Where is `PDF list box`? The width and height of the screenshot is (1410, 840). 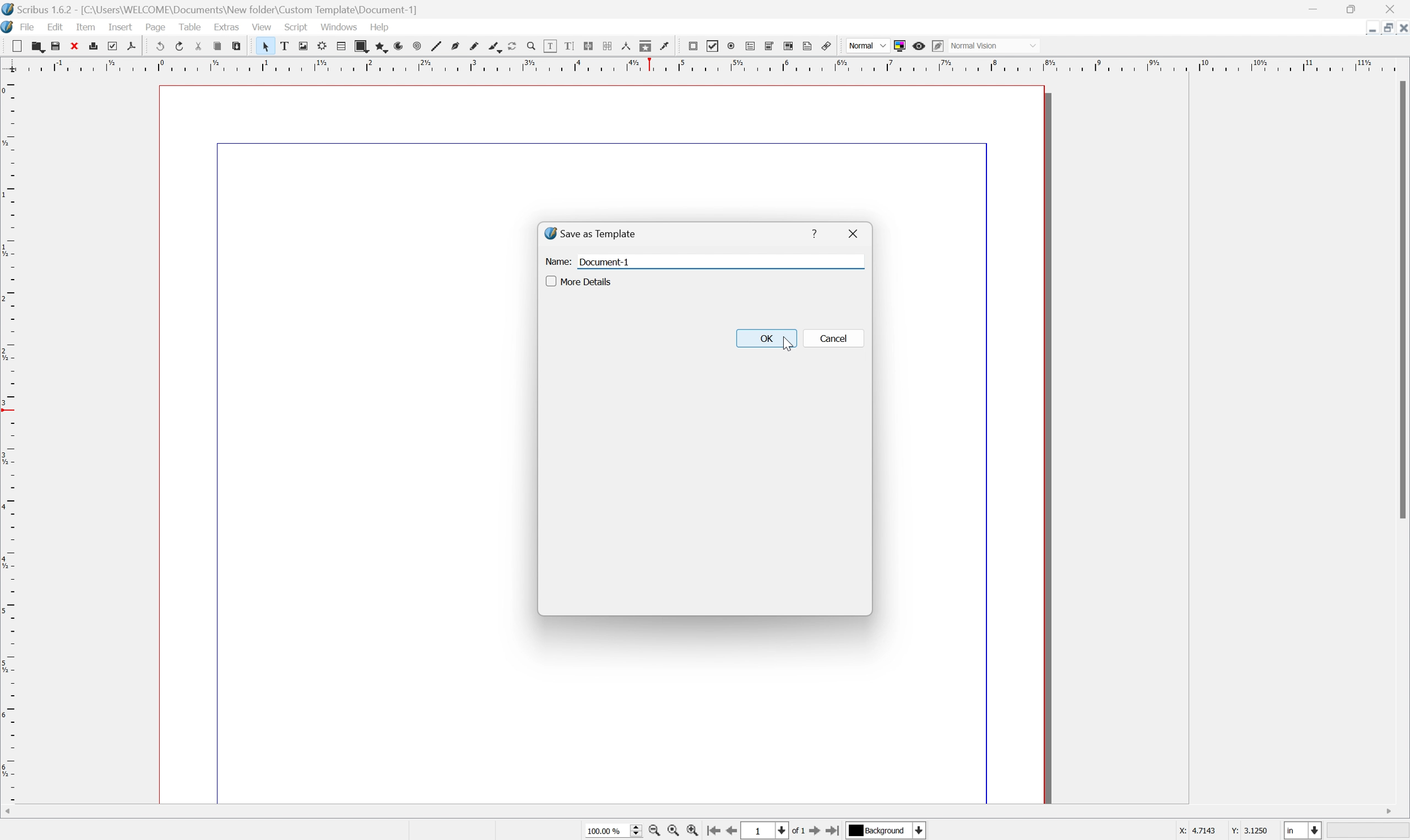 PDF list box is located at coordinates (788, 45).